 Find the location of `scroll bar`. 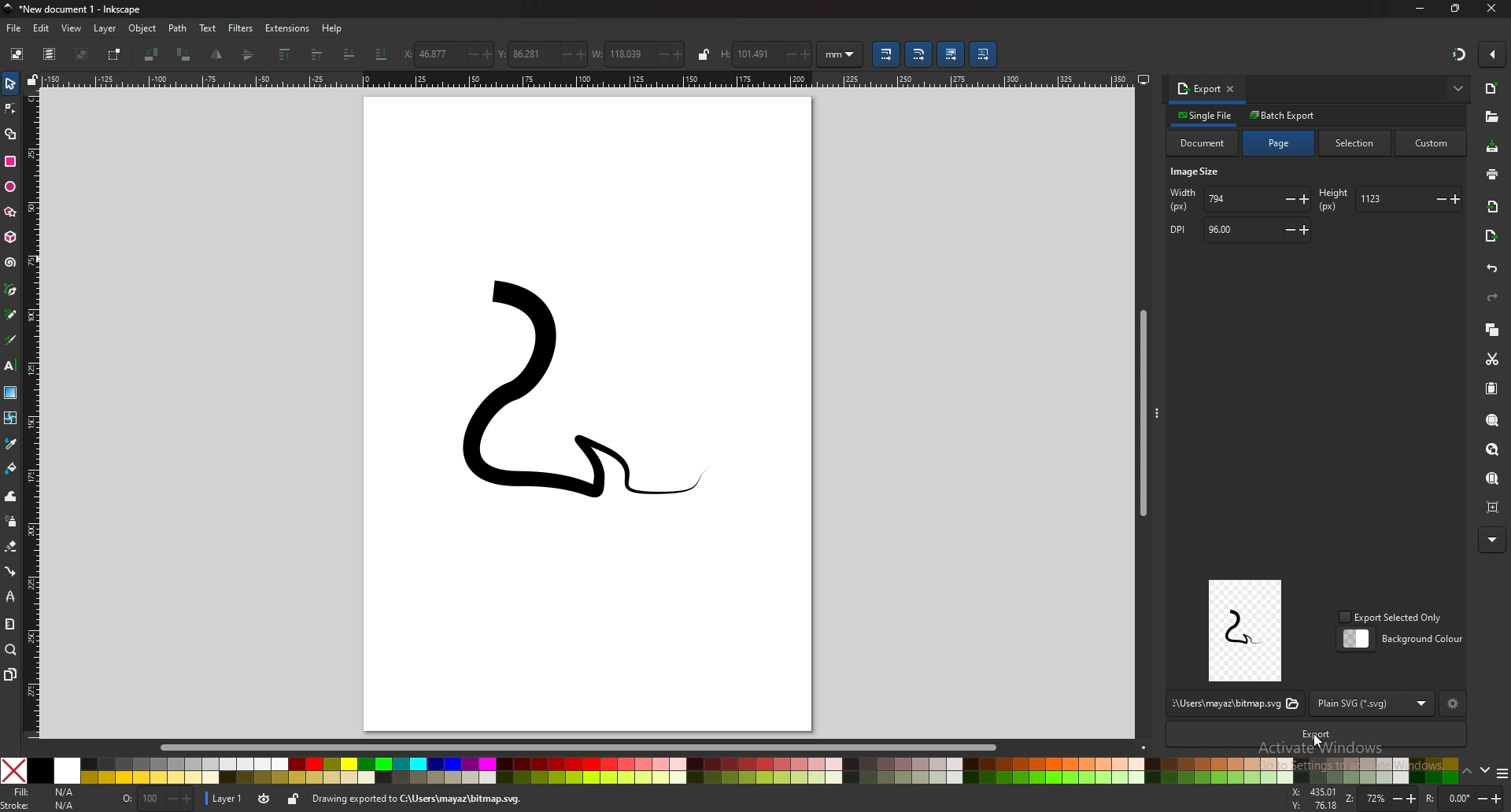

scroll bar is located at coordinates (1140, 410).